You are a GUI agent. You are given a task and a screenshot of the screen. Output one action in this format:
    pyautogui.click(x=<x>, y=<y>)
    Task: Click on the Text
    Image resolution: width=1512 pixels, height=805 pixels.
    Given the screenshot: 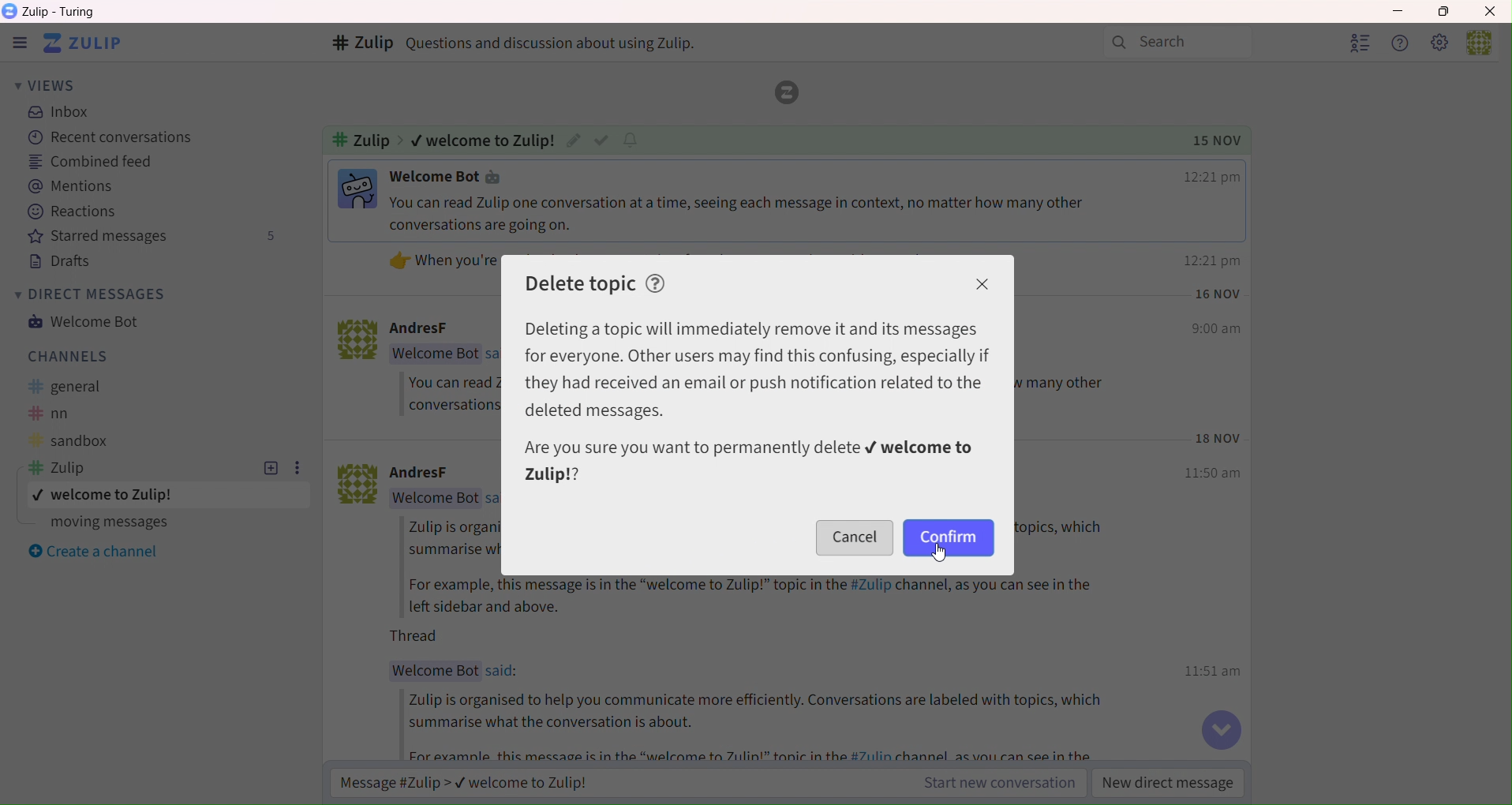 What is the action you would take?
    pyautogui.click(x=442, y=260)
    